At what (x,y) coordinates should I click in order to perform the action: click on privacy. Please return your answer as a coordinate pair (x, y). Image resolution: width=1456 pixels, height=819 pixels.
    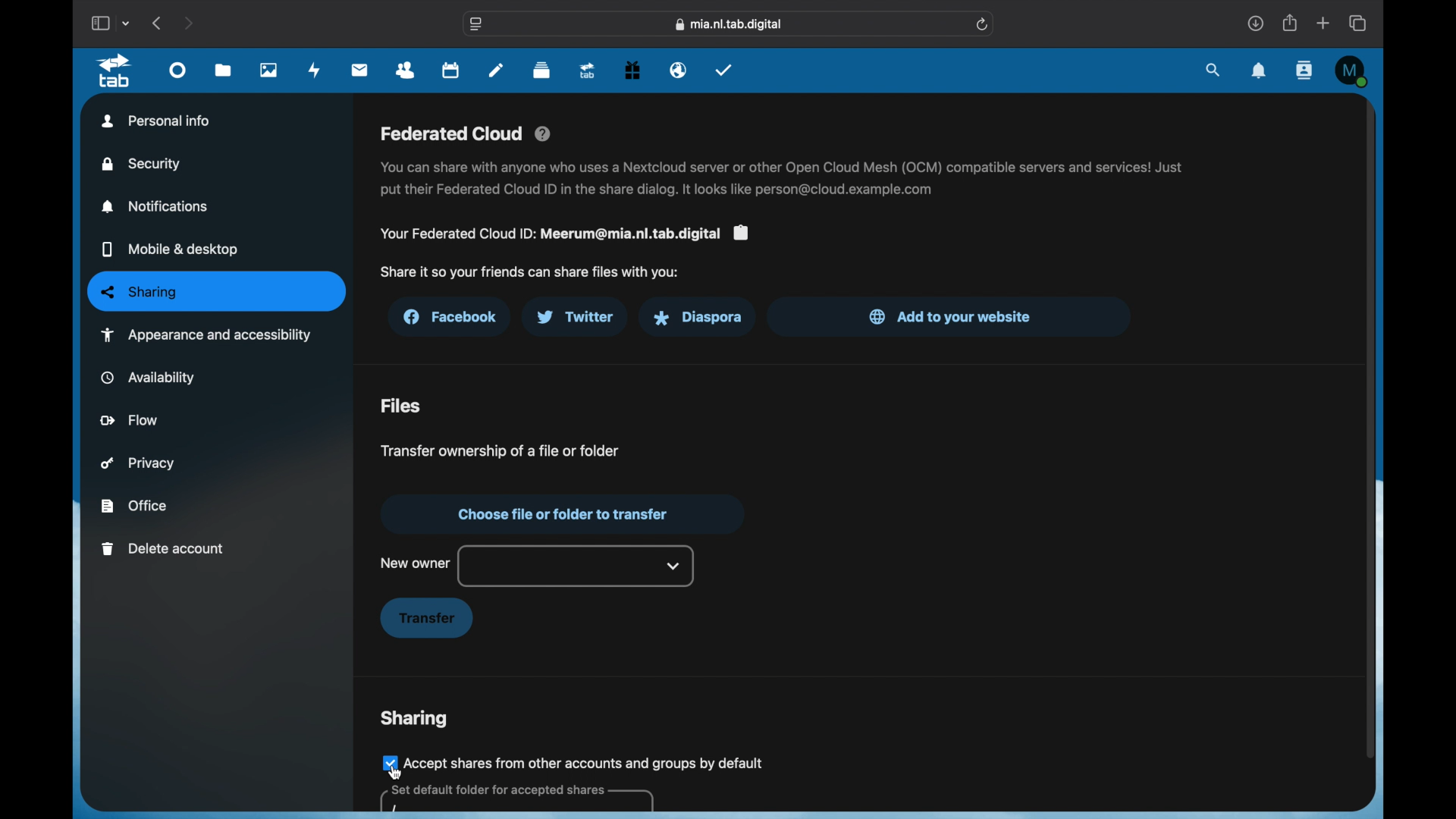
    Looking at the image, I should click on (138, 463).